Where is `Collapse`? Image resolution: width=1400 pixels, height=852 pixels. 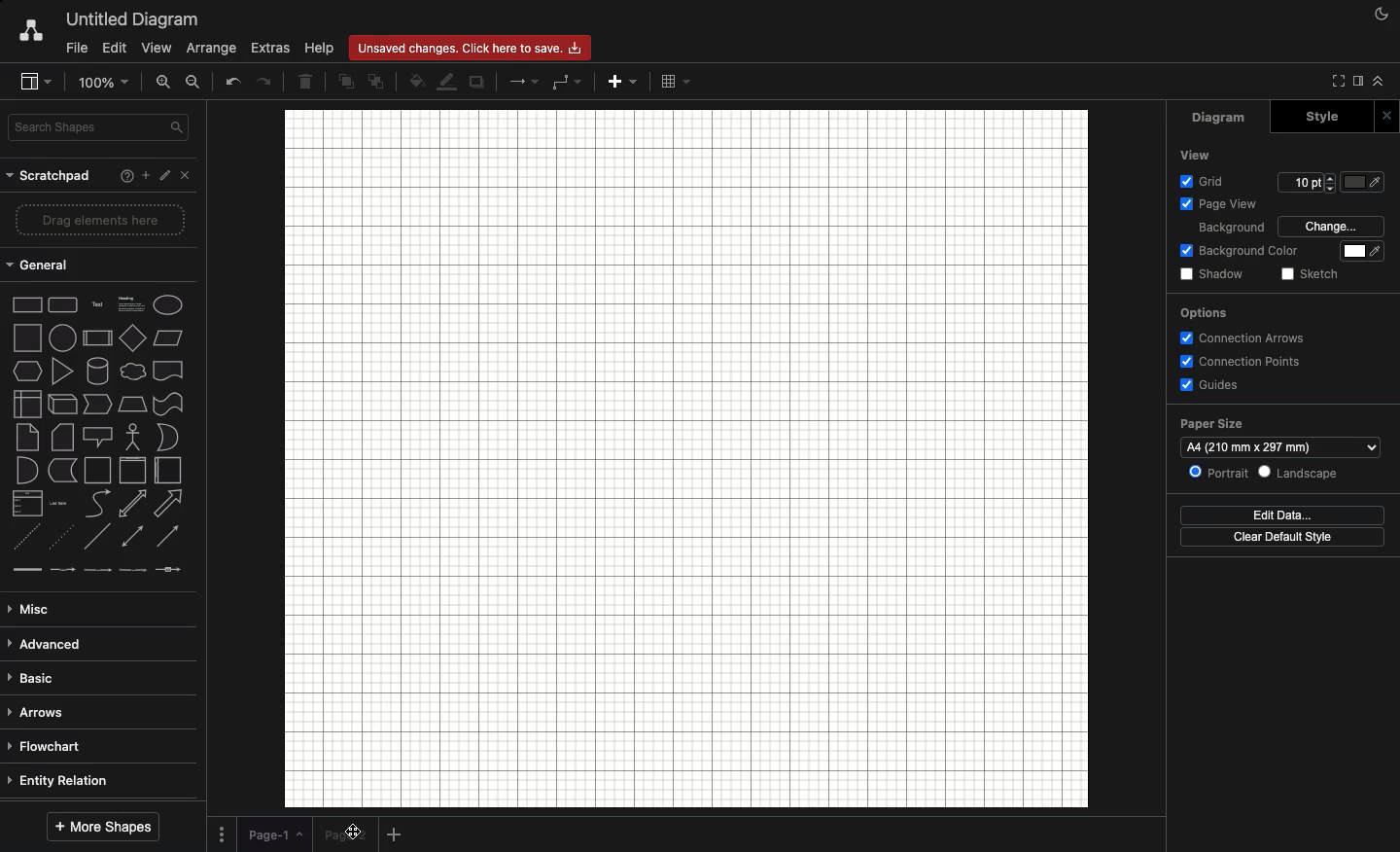
Collapse is located at coordinates (1379, 81).